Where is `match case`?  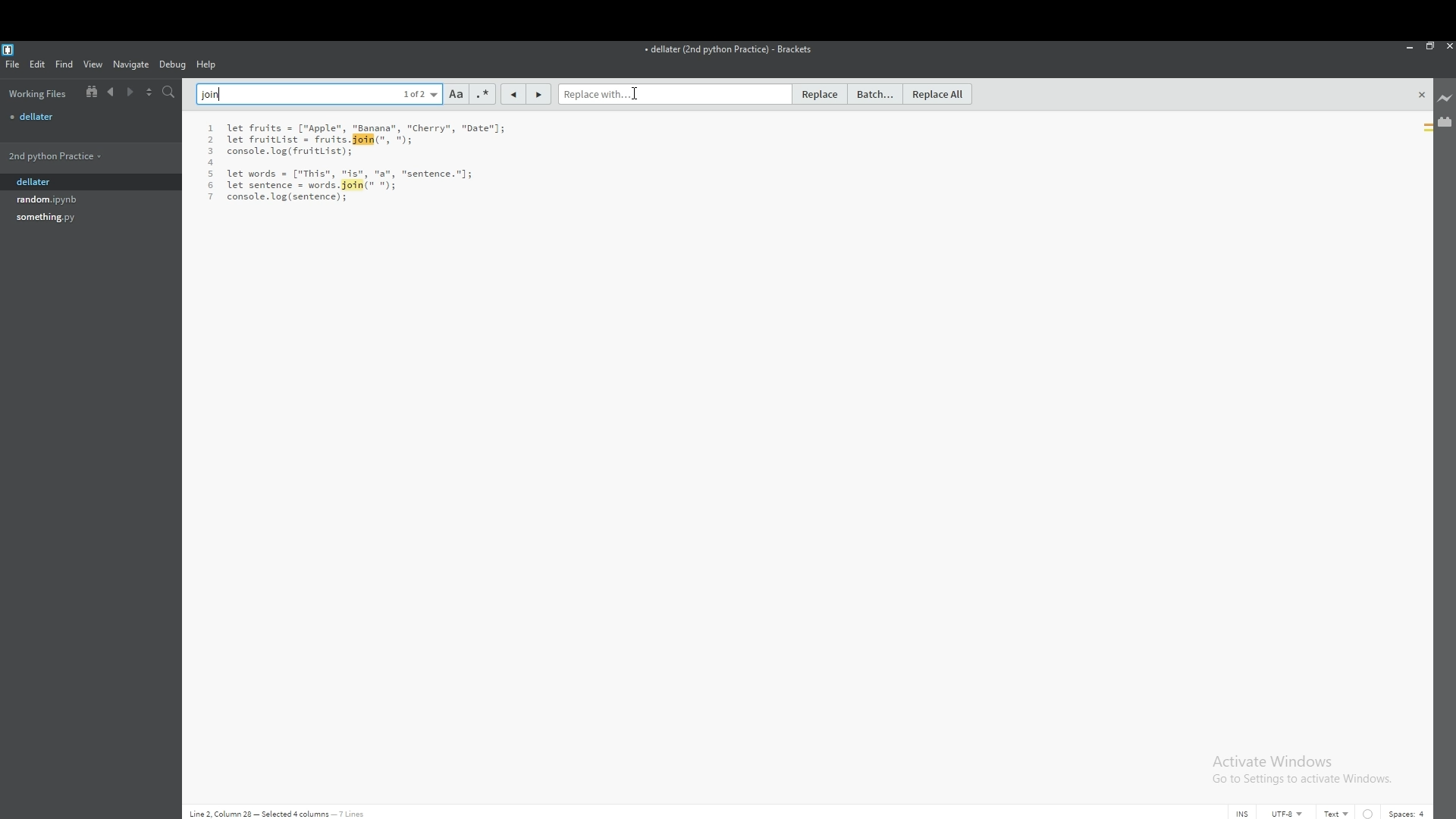 match case is located at coordinates (457, 95).